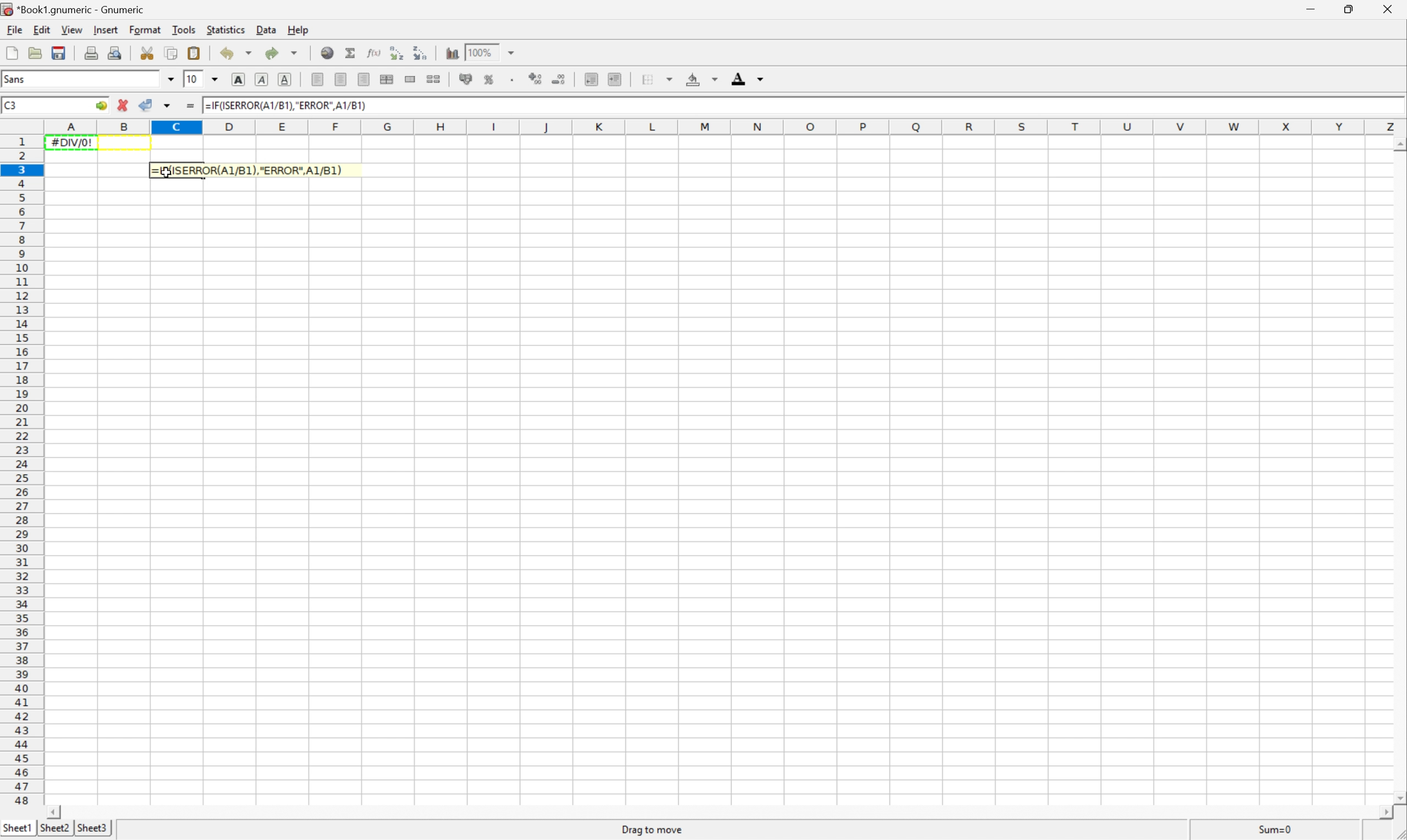 The image size is (1407, 840). Describe the element at coordinates (108, 29) in the screenshot. I see `Insert` at that location.